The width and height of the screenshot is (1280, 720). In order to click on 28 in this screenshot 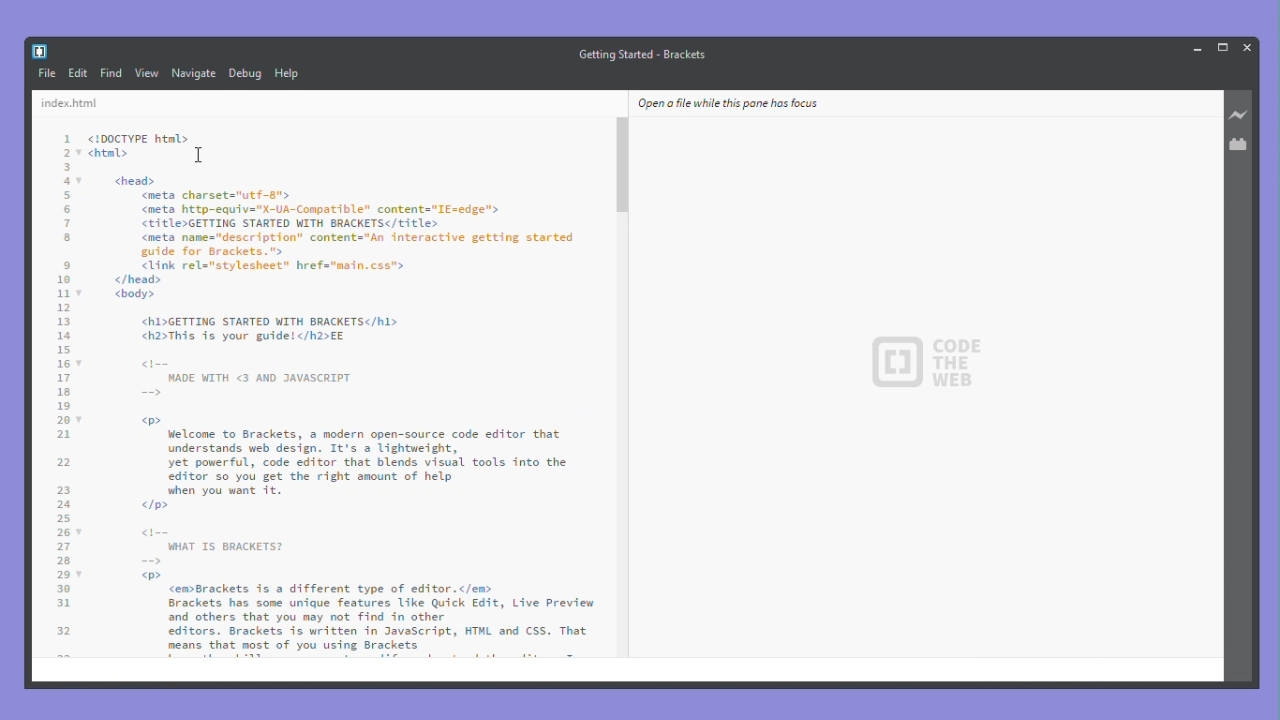, I will do `click(63, 562)`.